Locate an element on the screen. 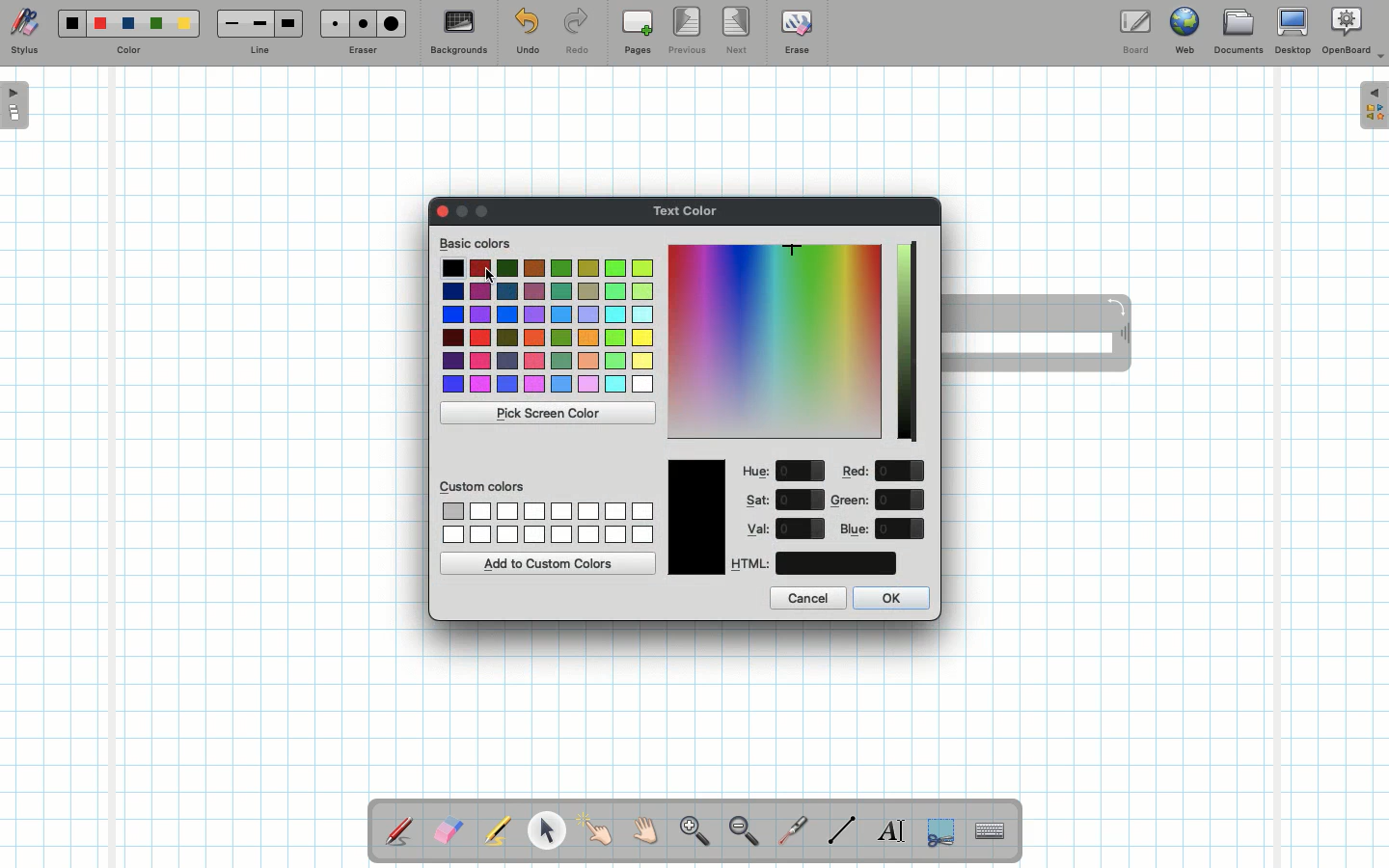 The width and height of the screenshot is (1389, 868). Erase is located at coordinates (796, 31).